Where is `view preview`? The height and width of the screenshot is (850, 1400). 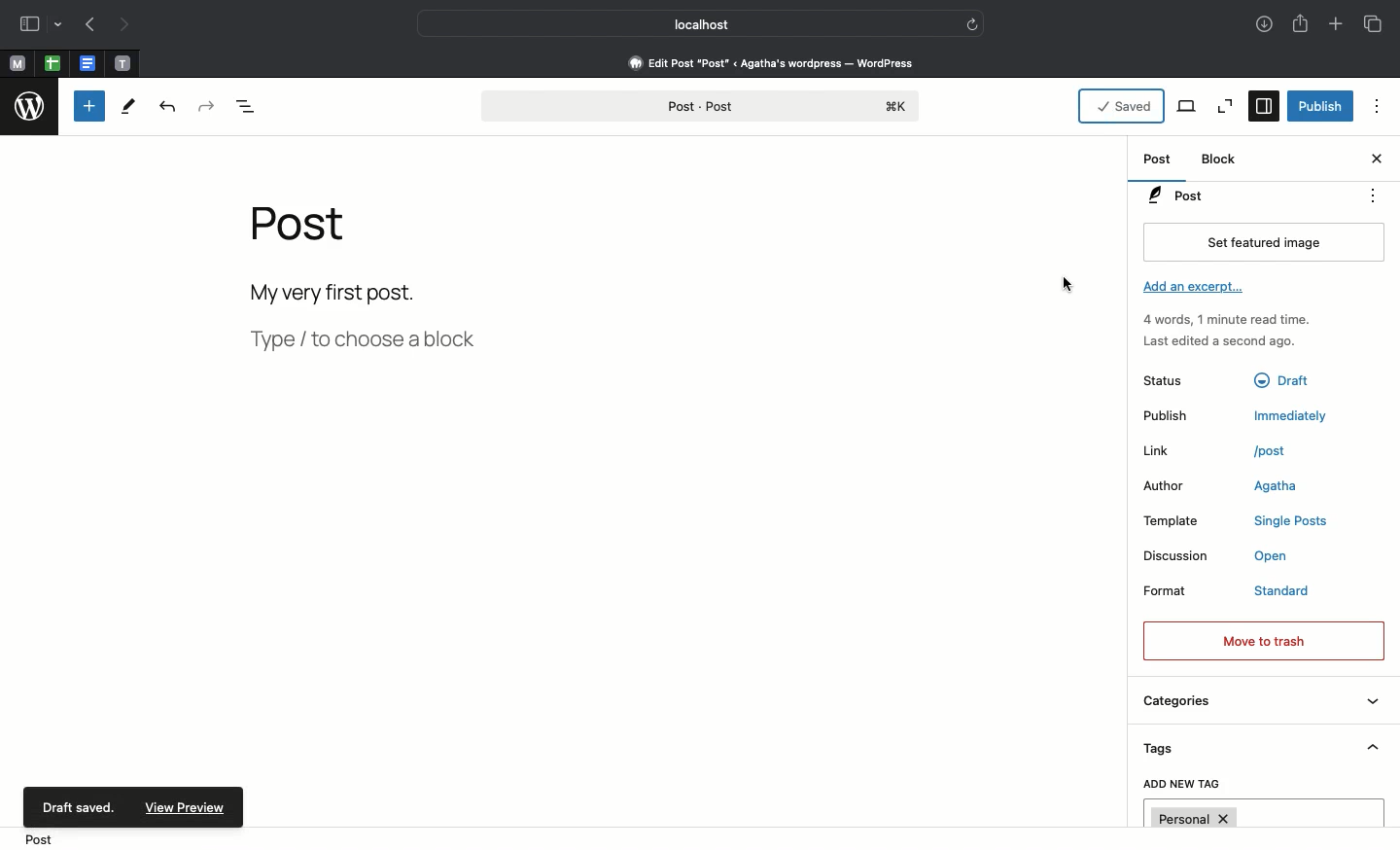 view preview is located at coordinates (182, 807).